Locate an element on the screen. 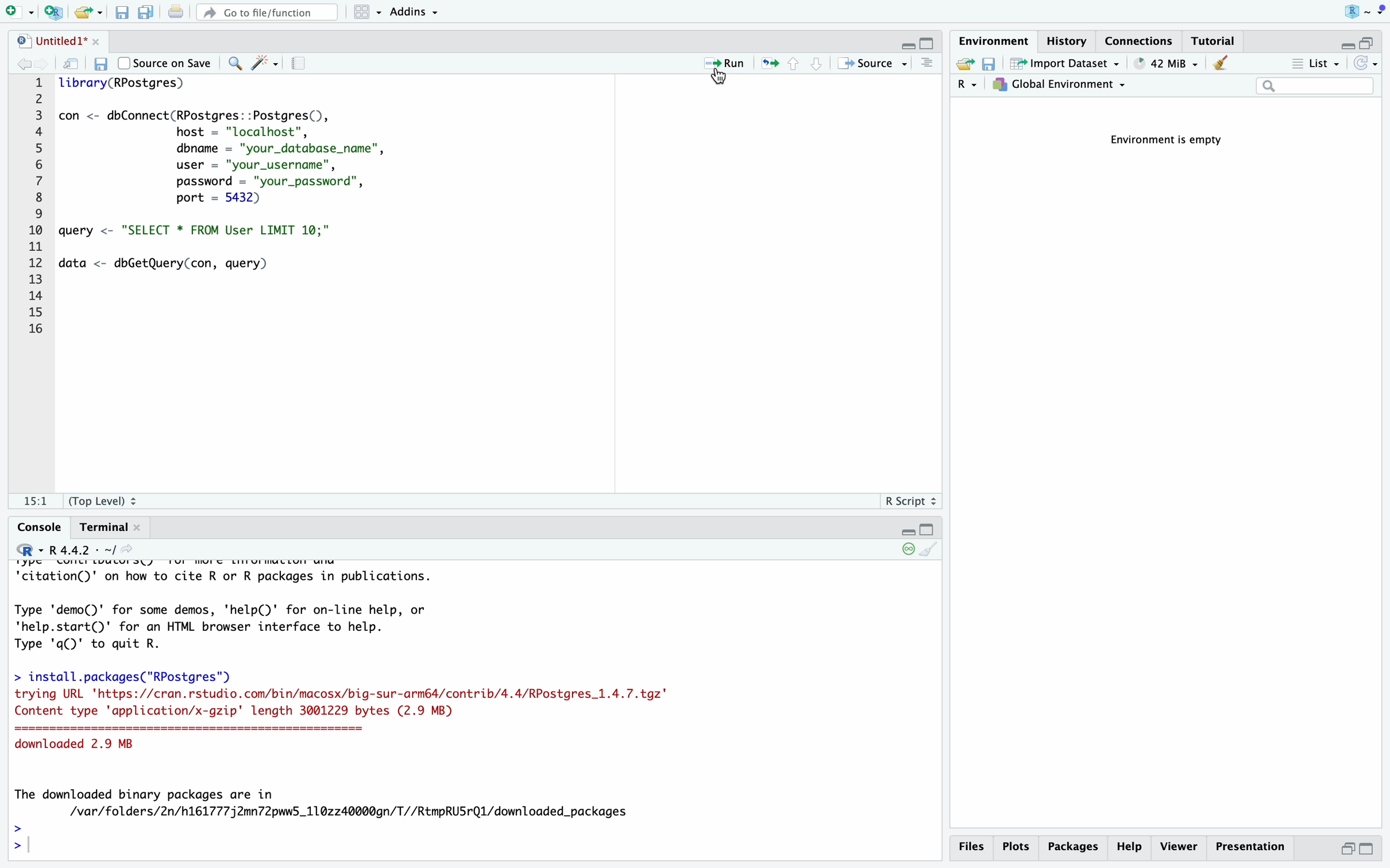 The height and width of the screenshot is (868, 1390). cursor is located at coordinates (718, 79).